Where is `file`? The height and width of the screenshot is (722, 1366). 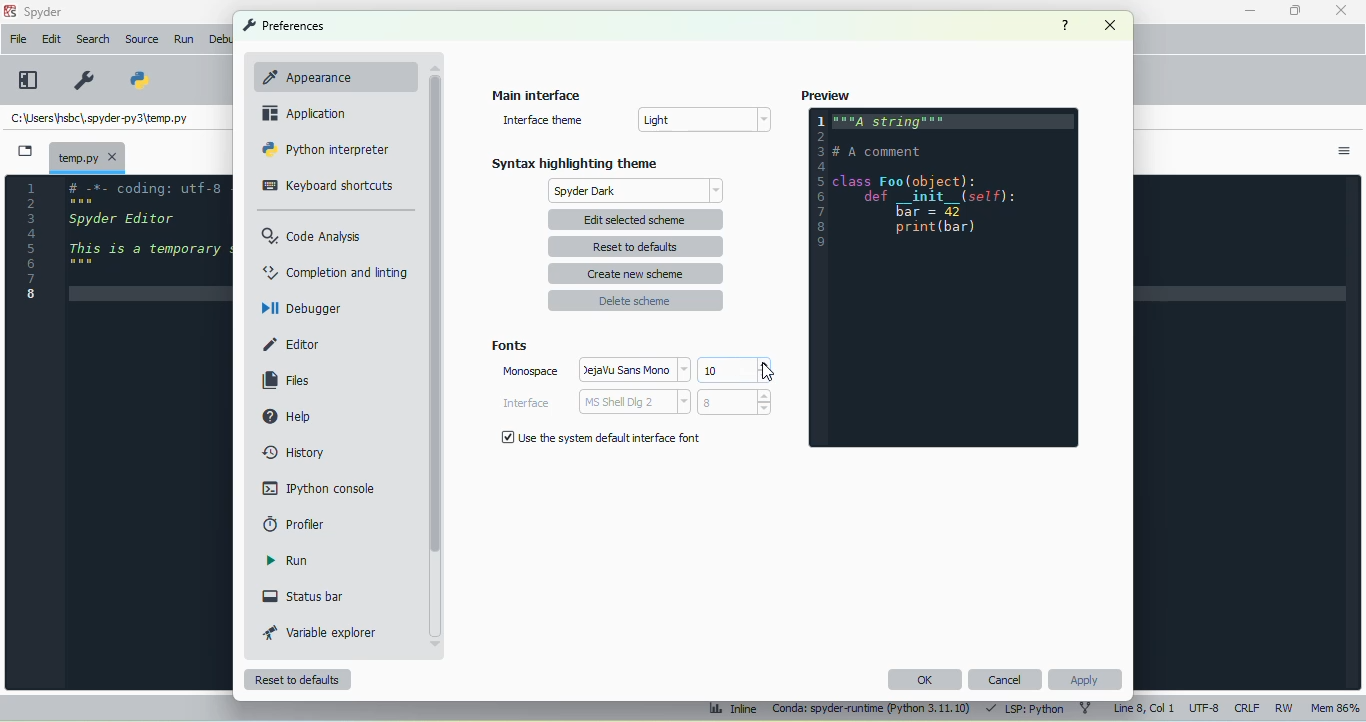
file is located at coordinates (18, 38).